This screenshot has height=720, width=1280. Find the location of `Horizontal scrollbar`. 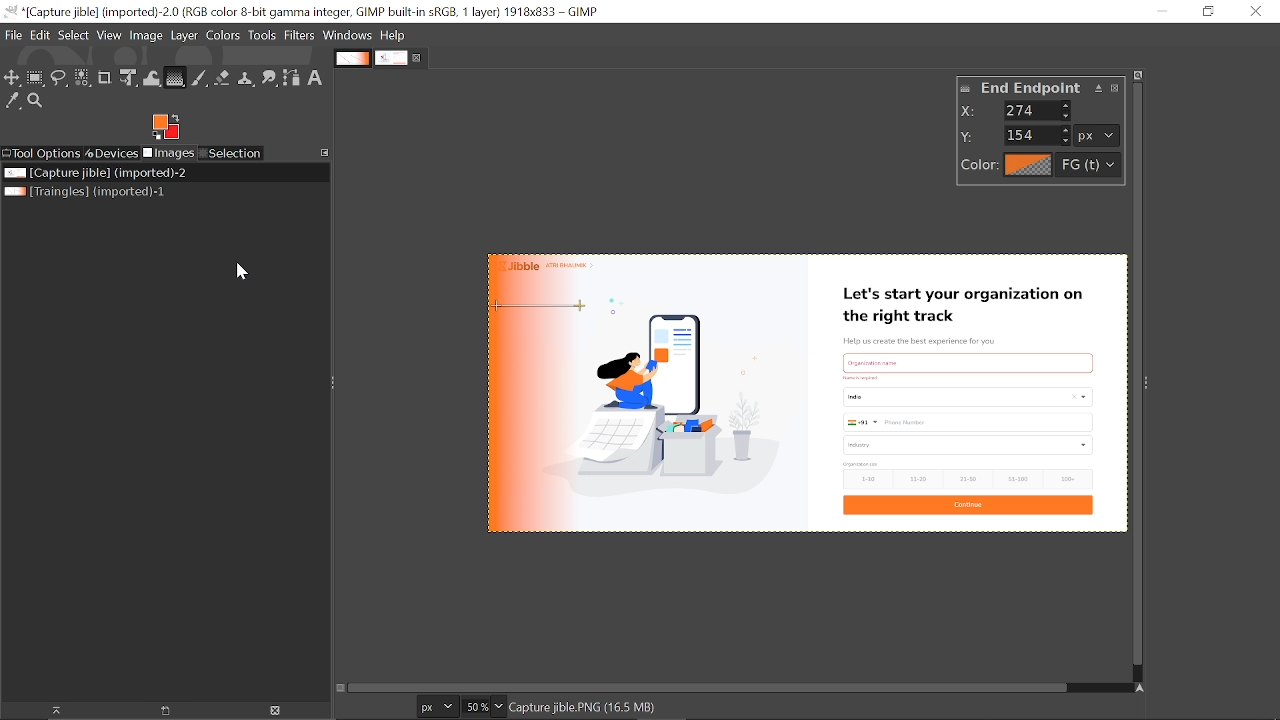

Horizontal scrollbar is located at coordinates (710, 689).